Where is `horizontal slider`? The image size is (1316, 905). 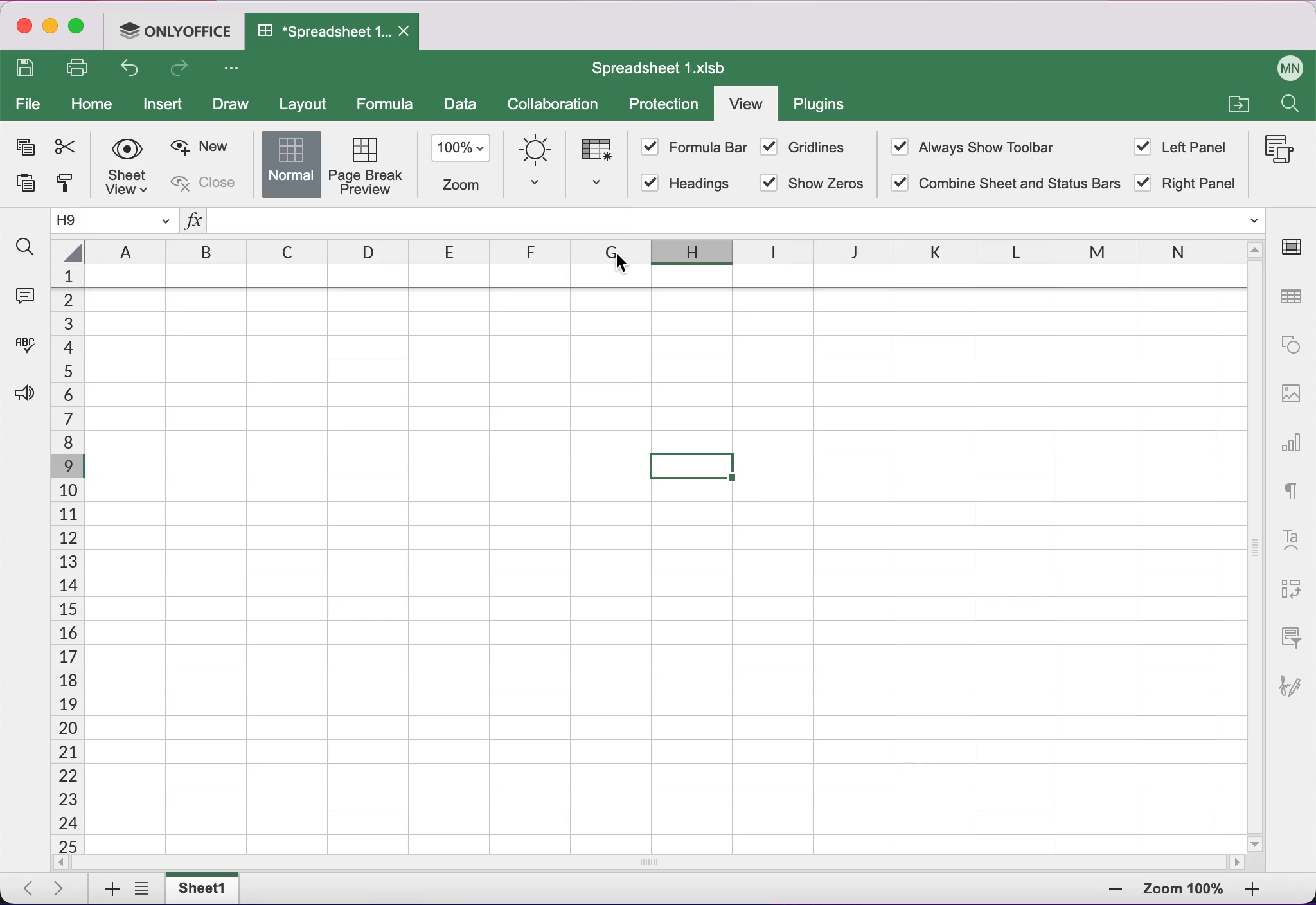 horizontal slider is located at coordinates (654, 863).